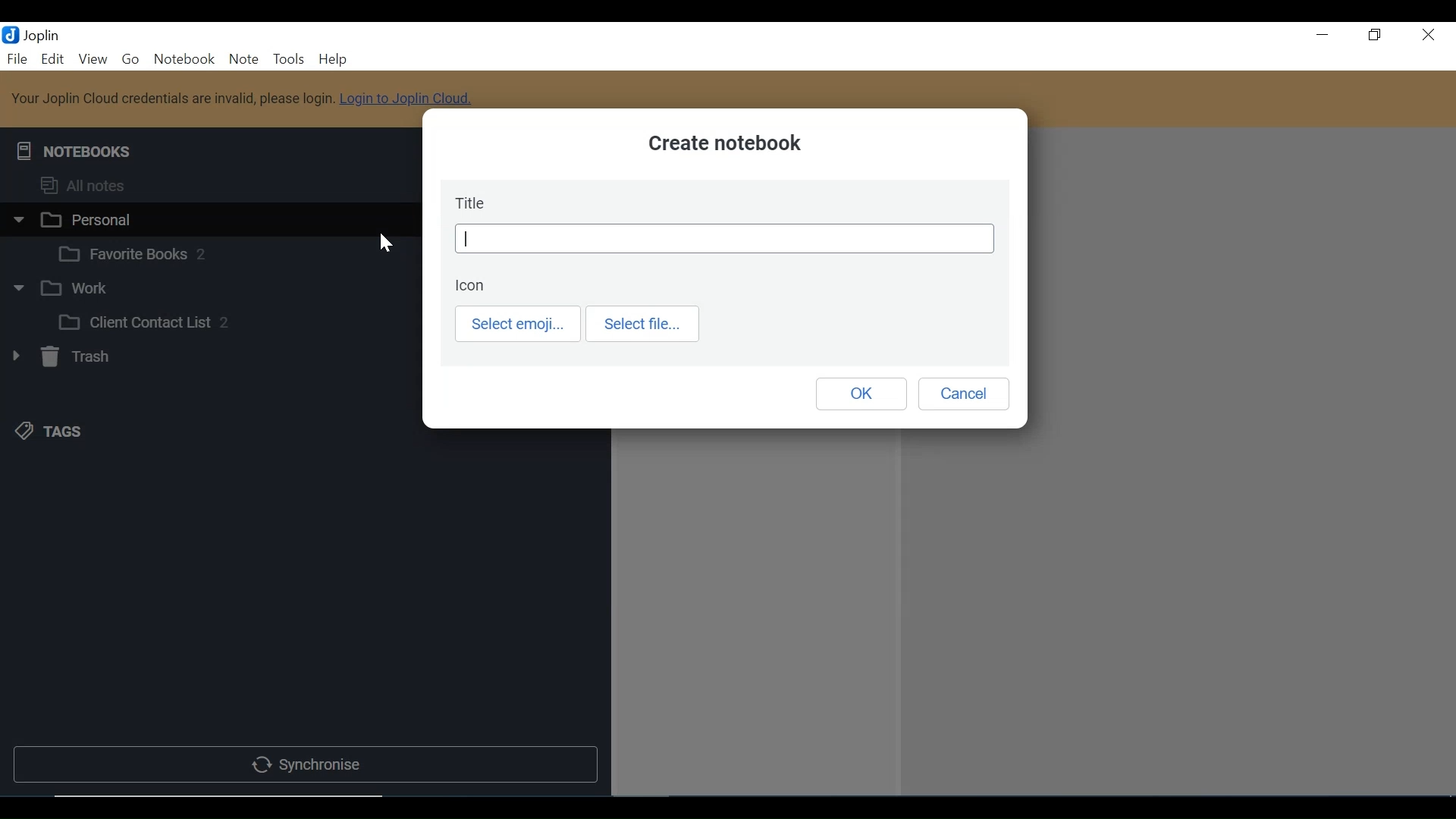  Describe the element at coordinates (18, 60) in the screenshot. I see `File` at that location.